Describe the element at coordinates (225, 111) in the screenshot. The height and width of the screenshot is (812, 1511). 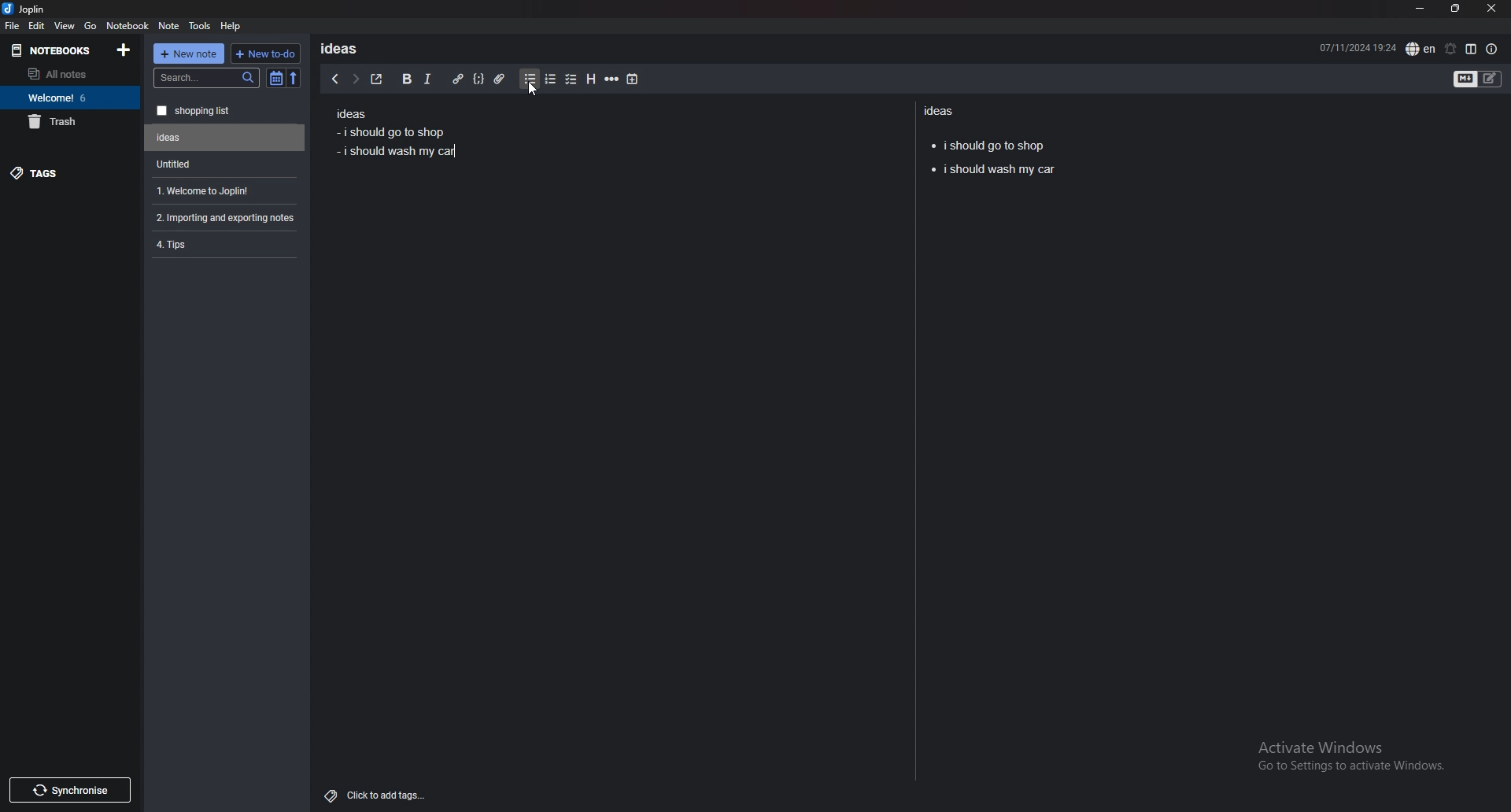
I see `shopping list` at that location.